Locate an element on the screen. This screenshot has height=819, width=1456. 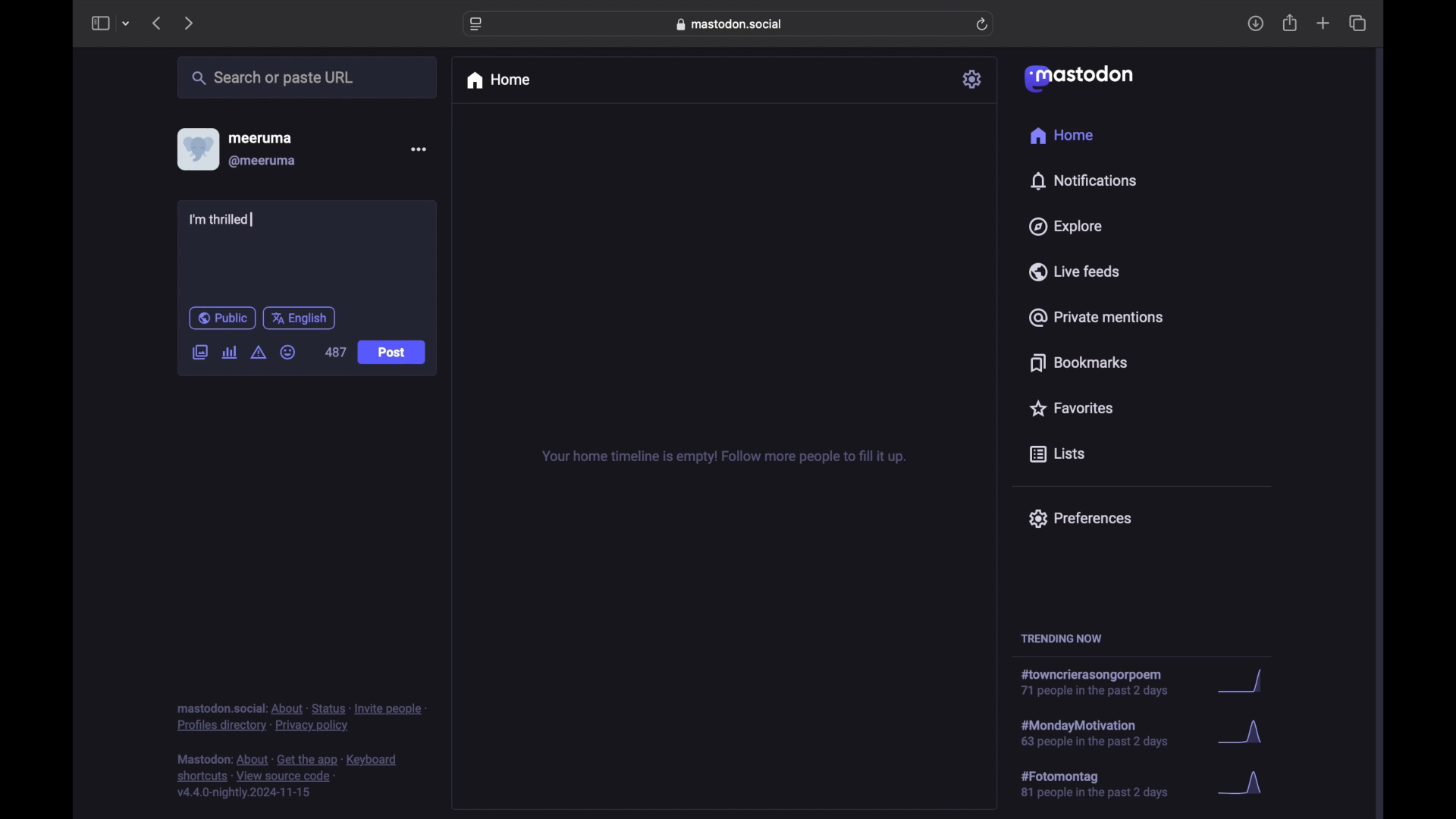
share is located at coordinates (1291, 23).